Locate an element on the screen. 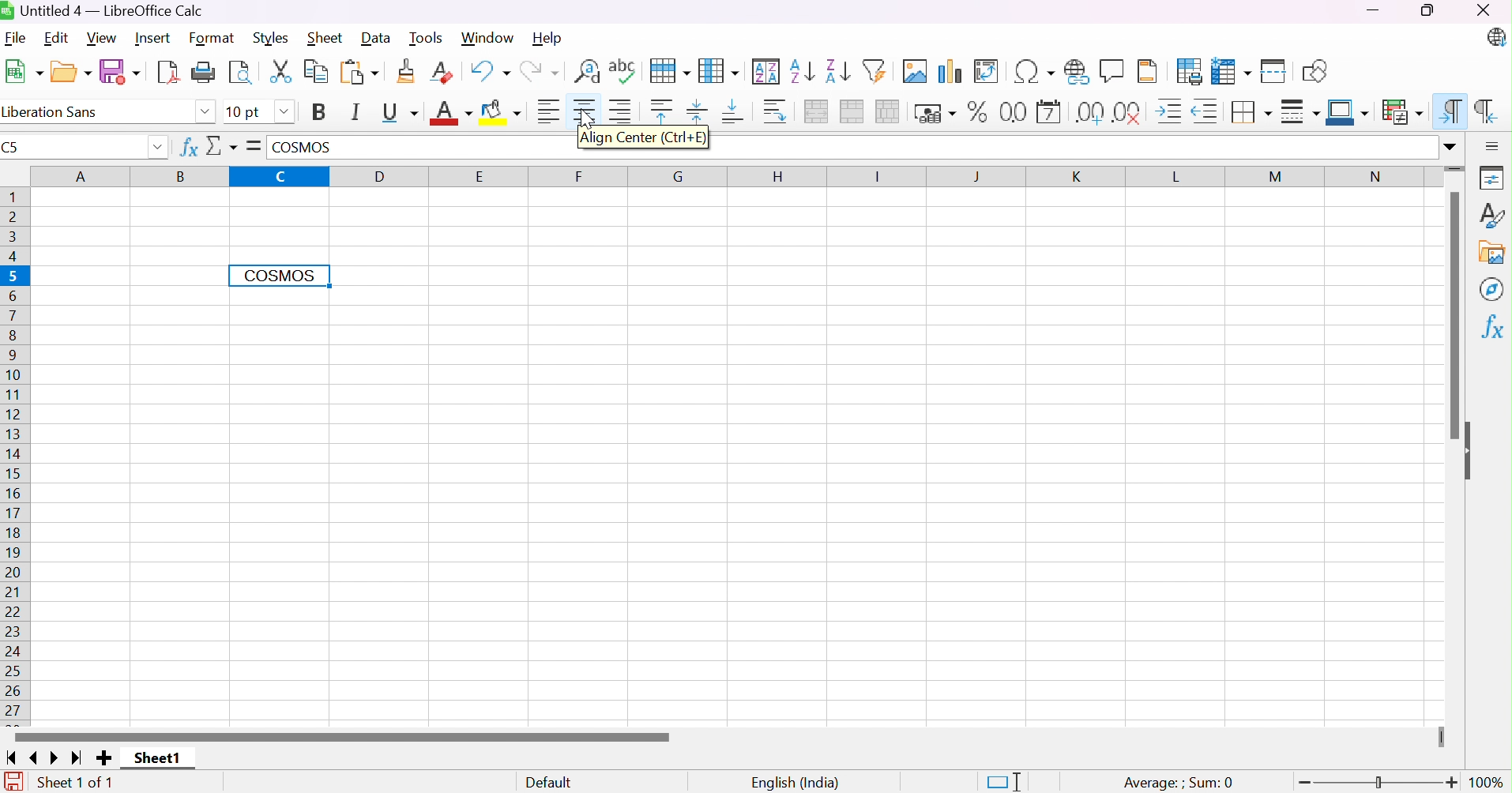 This screenshot has width=1512, height=793. Liberation Sans is located at coordinates (54, 112).